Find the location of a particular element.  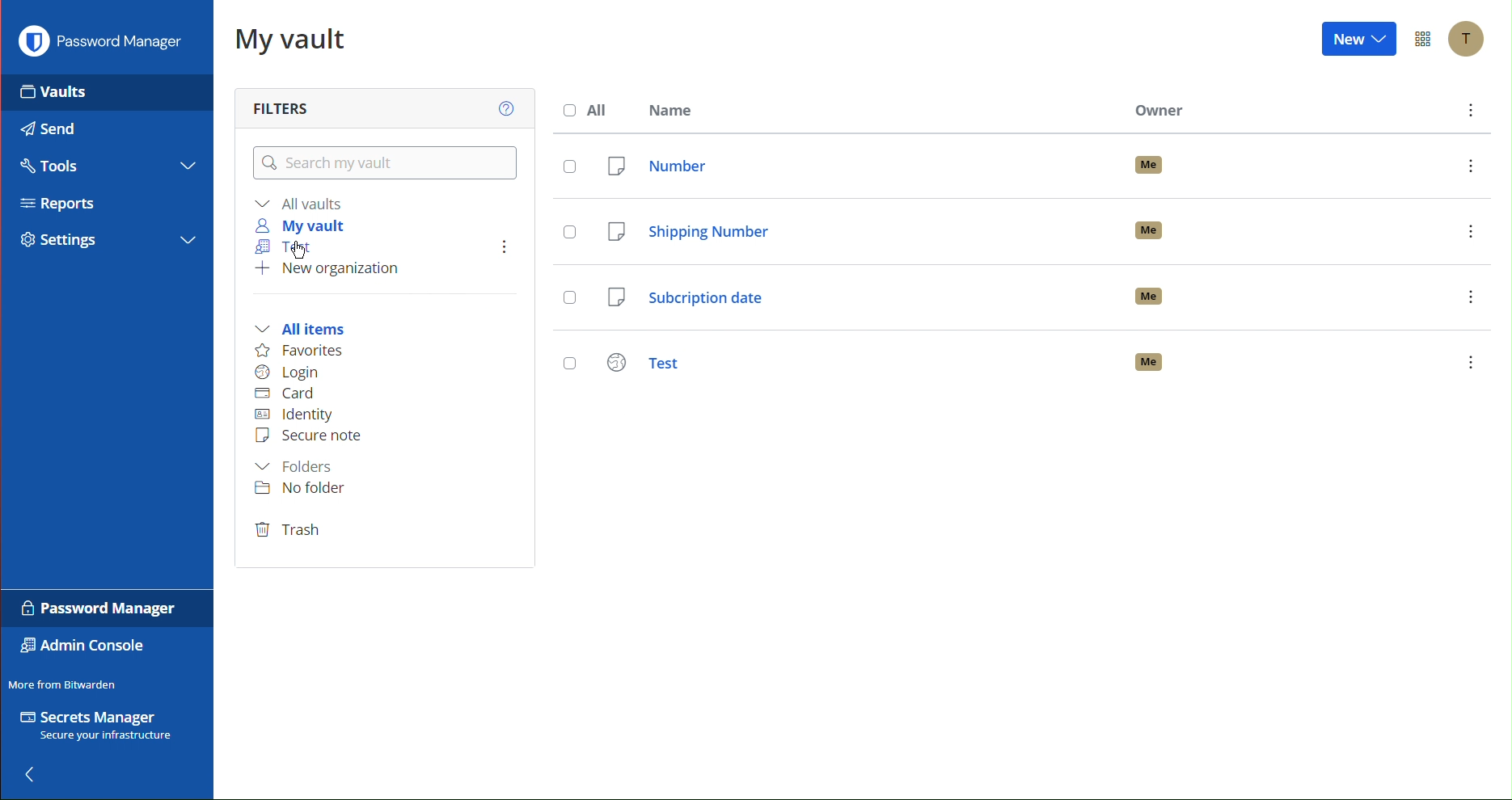

Password Manager is located at coordinates (94, 608).